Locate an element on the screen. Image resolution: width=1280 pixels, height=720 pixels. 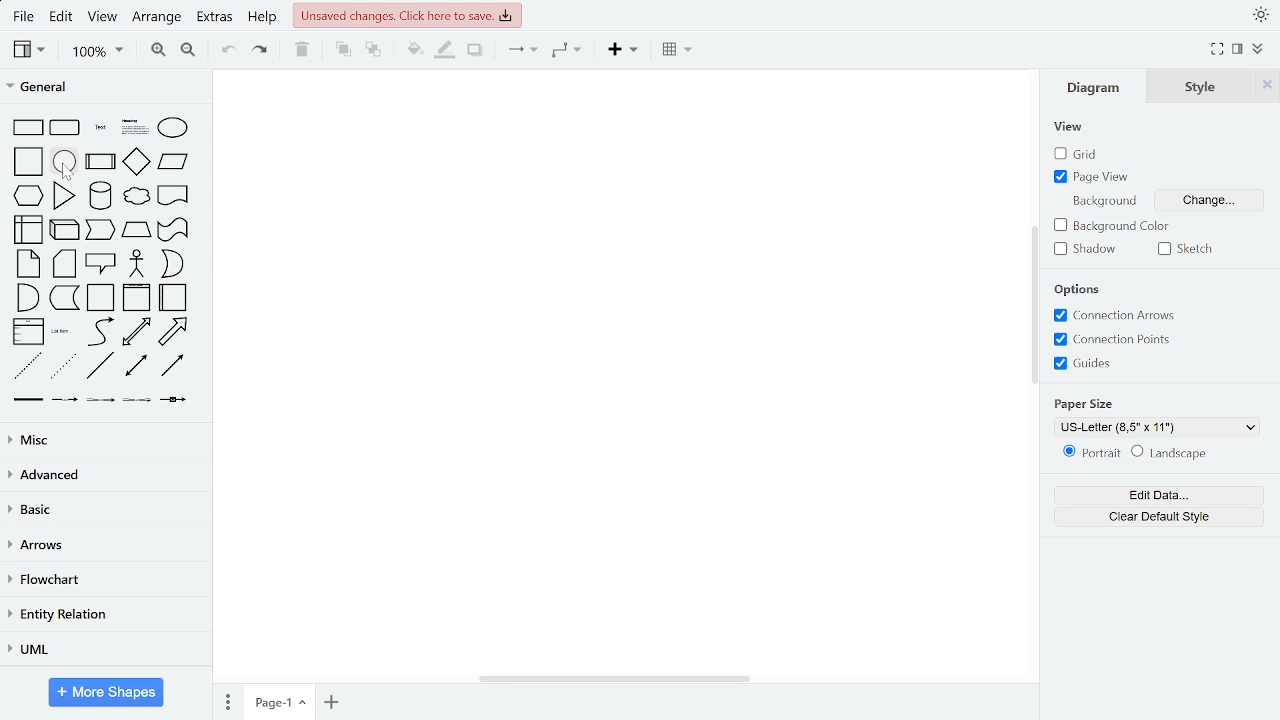
bidirectional arrow is located at coordinates (135, 333).